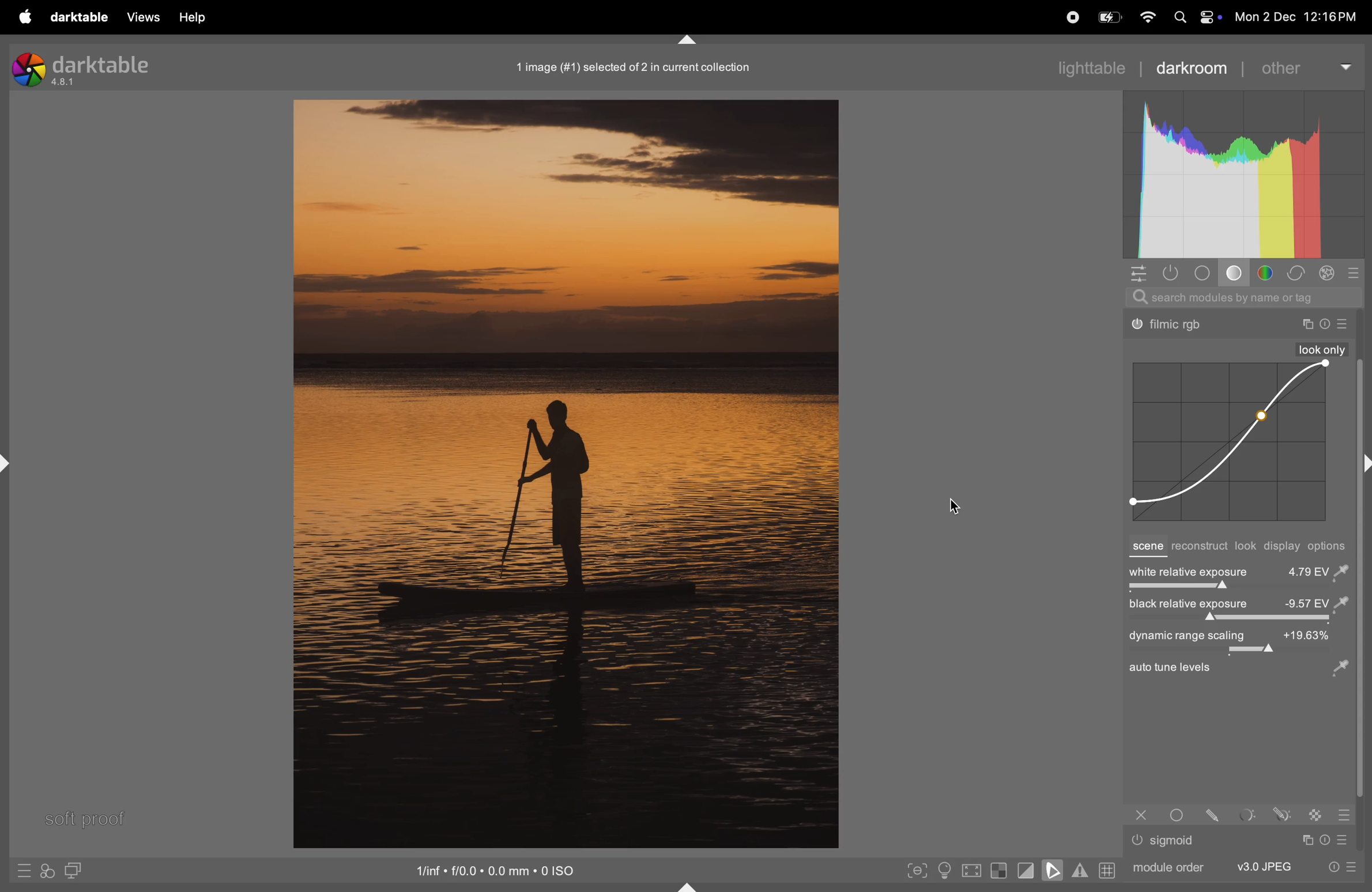 The image size is (1372, 892). Describe the element at coordinates (499, 869) in the screenshot. I see `iso` at that location.